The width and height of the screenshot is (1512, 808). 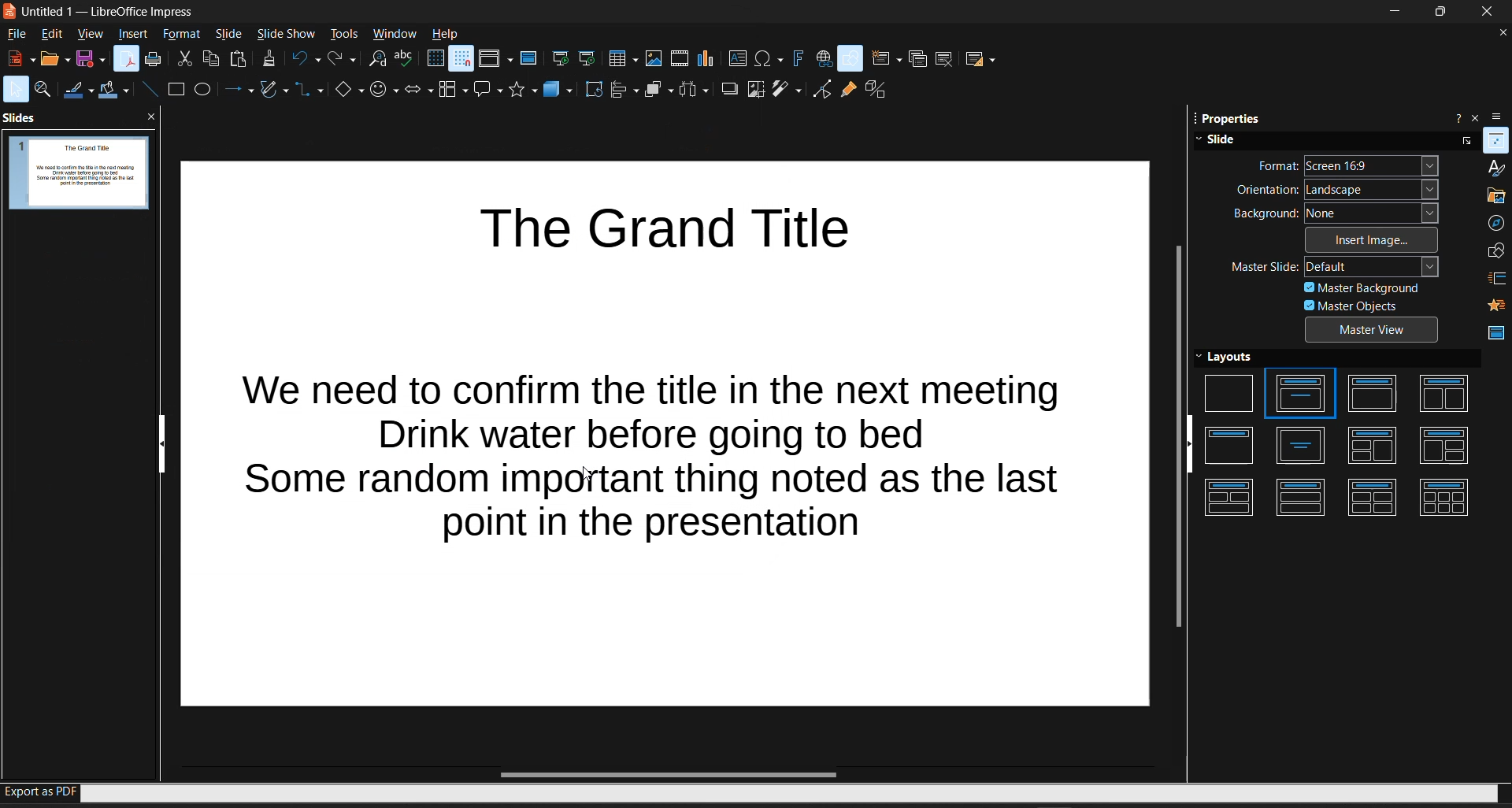 What do you see at coordinates (235, 59) in the screenshot?
I see `paste` at bounding box center [235, 59].